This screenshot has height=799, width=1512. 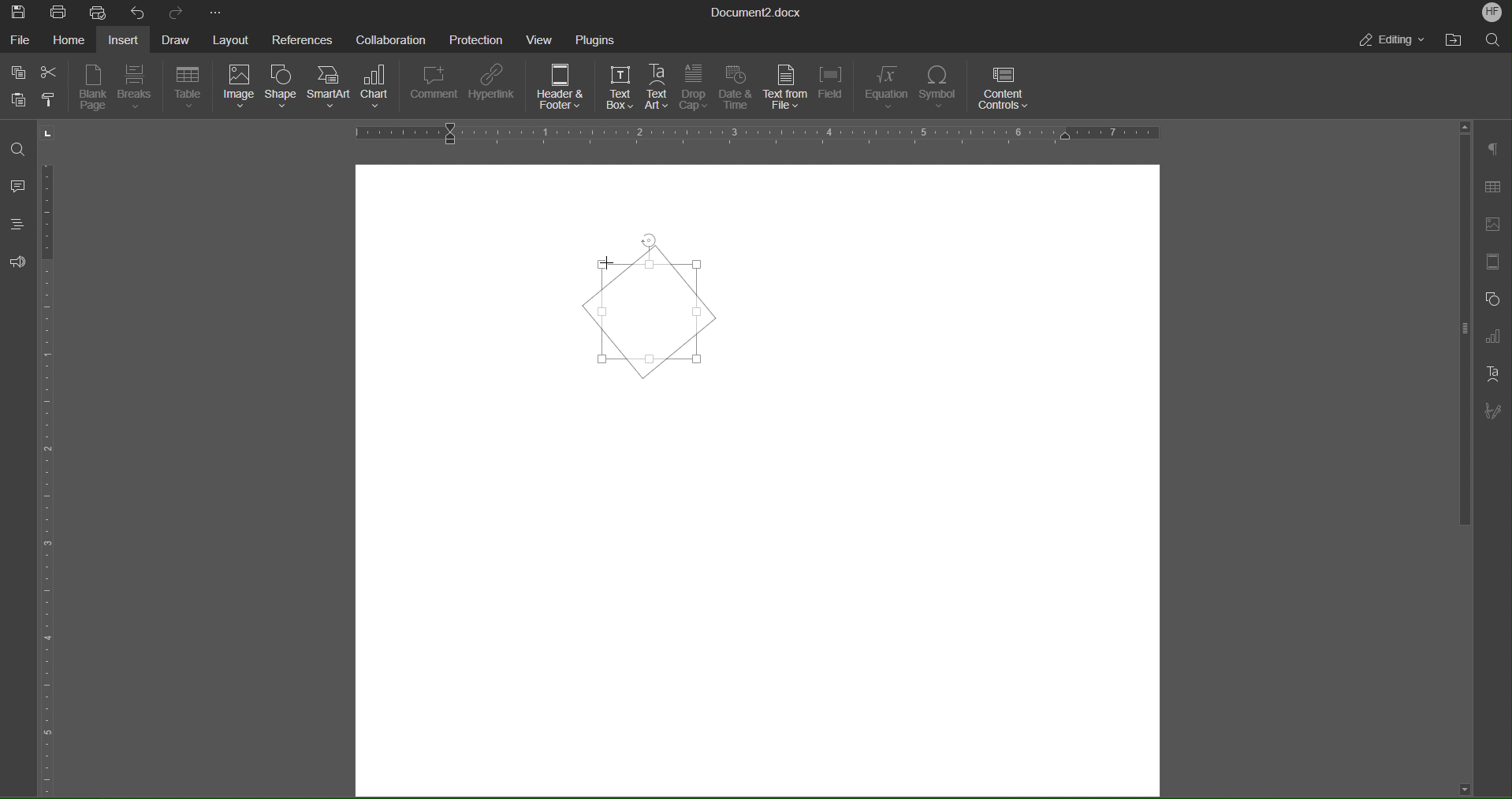 What do you see at coordinates (50, 69) in the screenshot?
I see `Cut` at bounding box center [50, 69].